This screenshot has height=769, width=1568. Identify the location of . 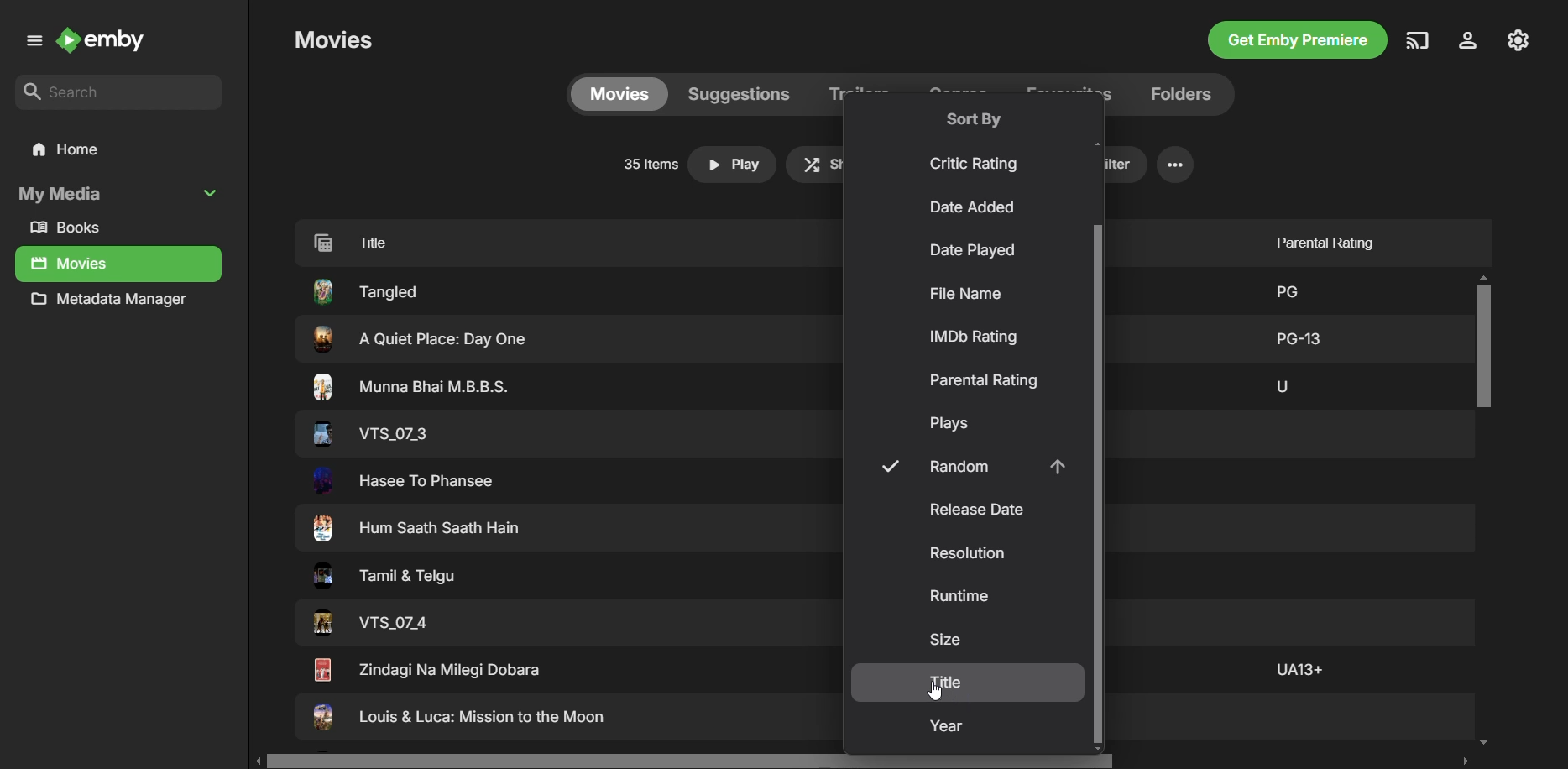
(458, 719).